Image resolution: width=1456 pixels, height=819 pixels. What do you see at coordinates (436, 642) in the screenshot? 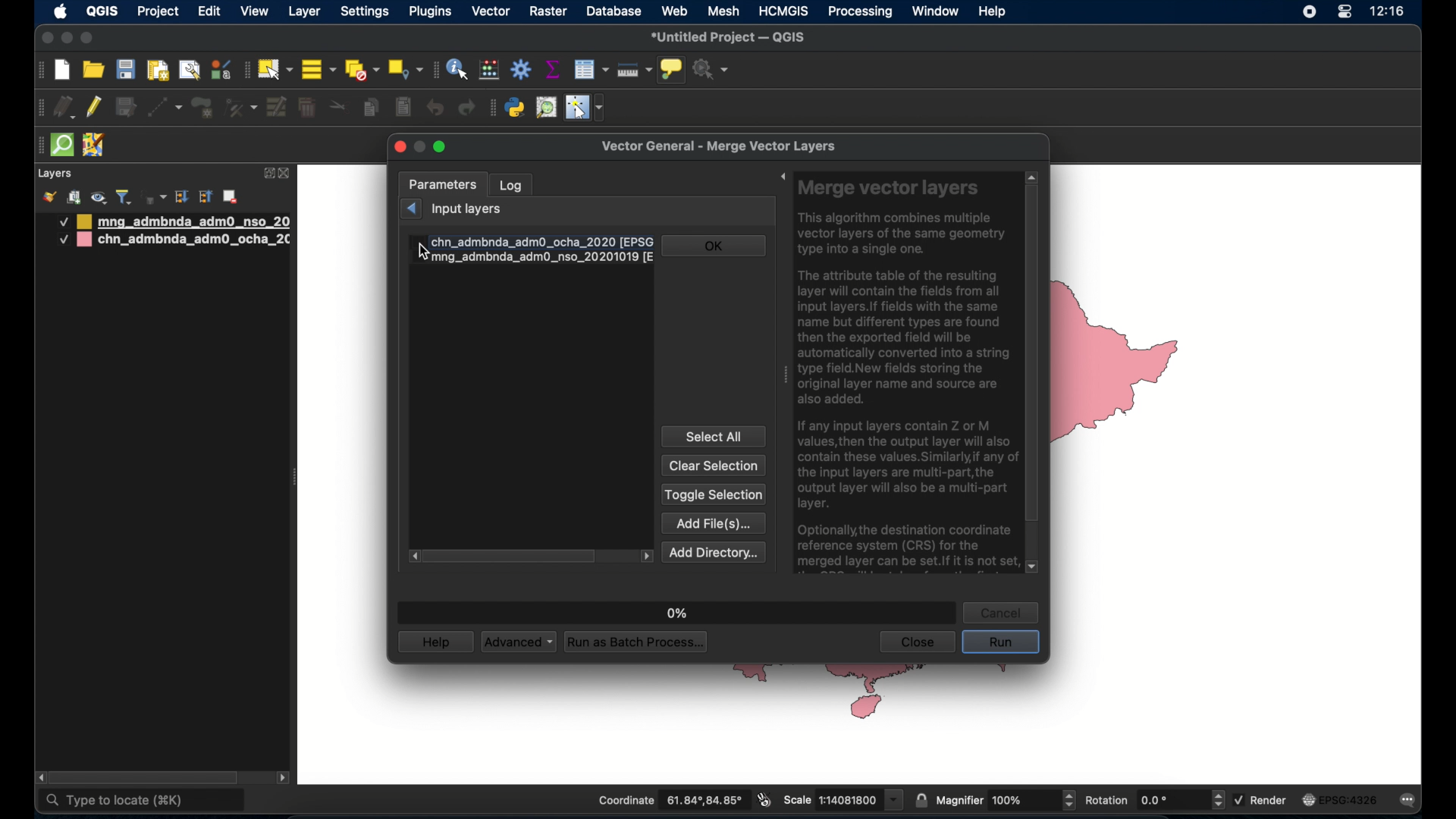
I see `help` at bounding box center [436, 642].